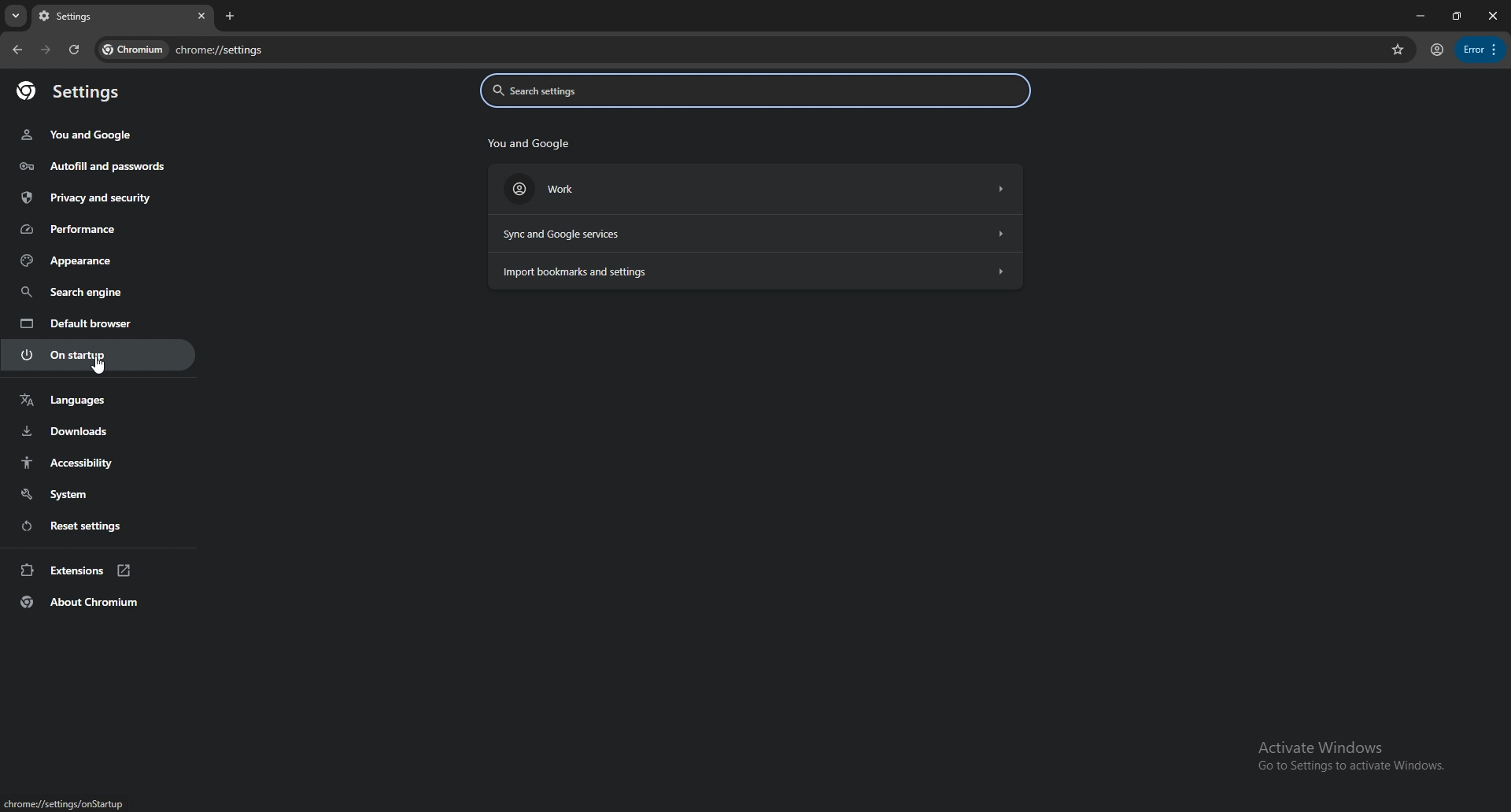 The width and height of the screenshot is (1511, 812). What do you see at coordinates (1480, 50) in the screenshot?
I see `options` at bounding box center [1480, 50].